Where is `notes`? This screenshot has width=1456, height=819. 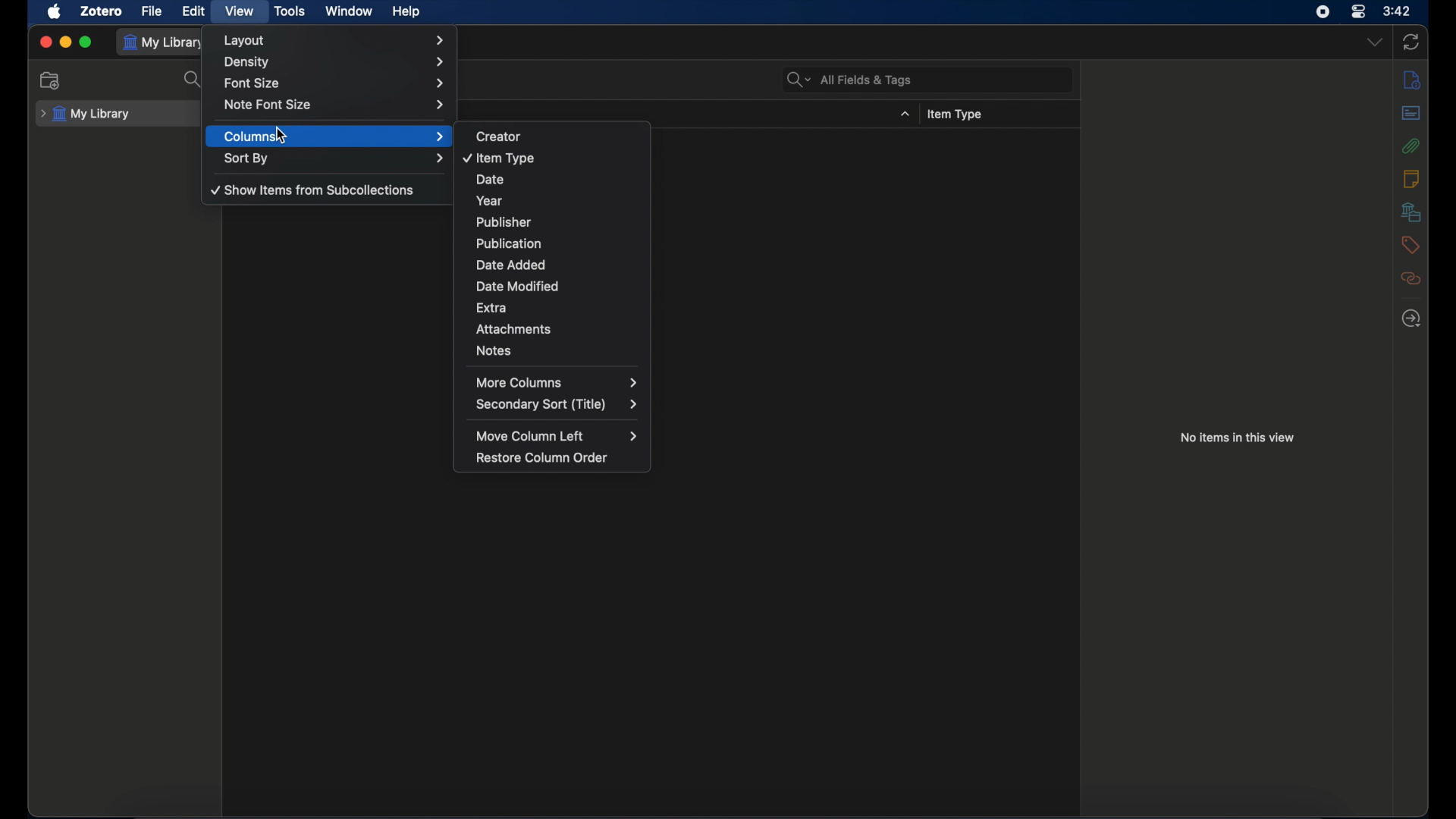
notes is located at coordinates (558, 353).